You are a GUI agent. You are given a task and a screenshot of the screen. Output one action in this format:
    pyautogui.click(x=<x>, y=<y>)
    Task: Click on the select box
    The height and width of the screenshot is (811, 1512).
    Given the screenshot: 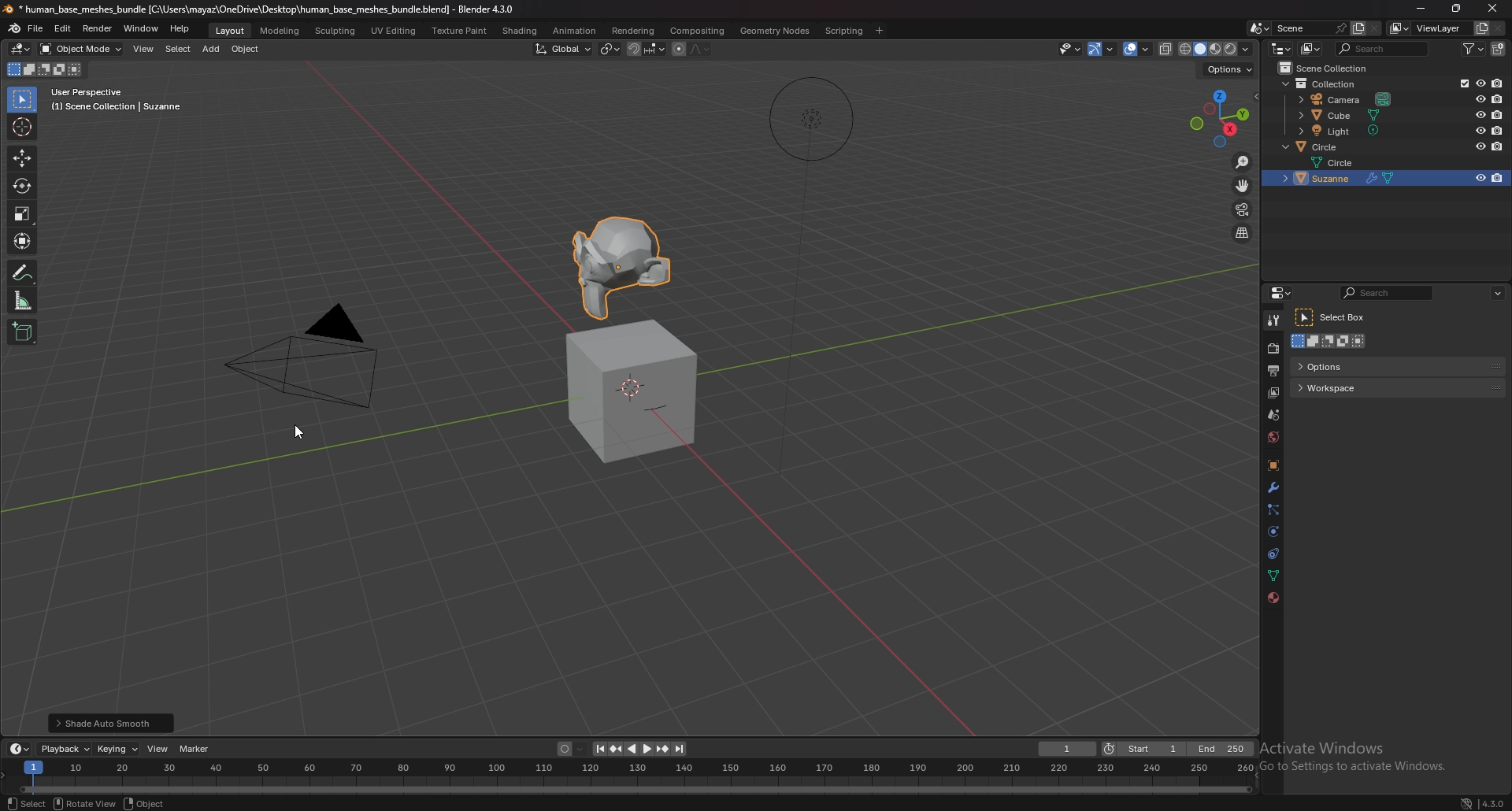 What is the action you would take?
    pyautogui.click(x=1336, y=318)
    